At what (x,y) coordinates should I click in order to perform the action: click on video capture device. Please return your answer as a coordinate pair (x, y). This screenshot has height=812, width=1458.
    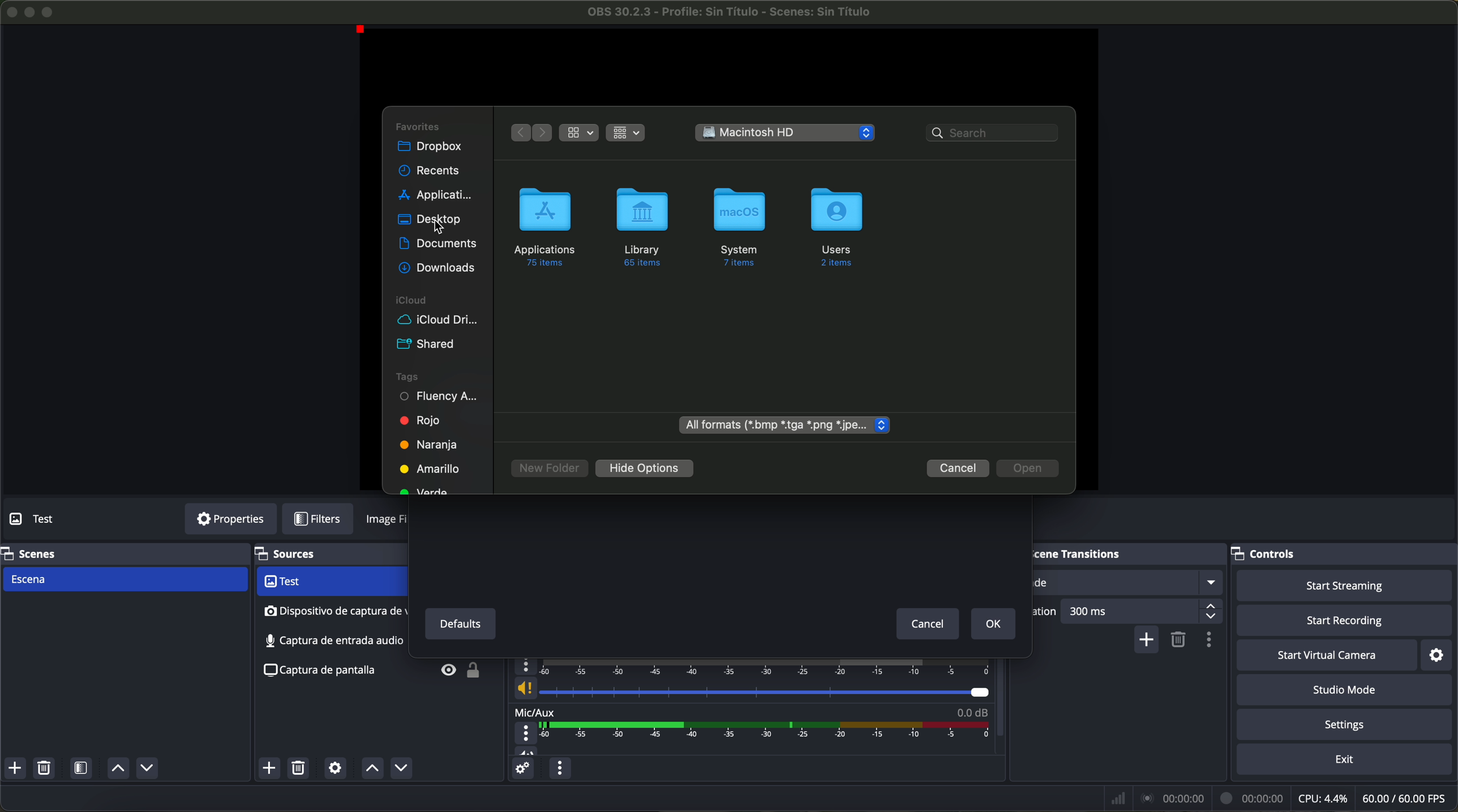
    Looking at the image, I should click on (330, 582).